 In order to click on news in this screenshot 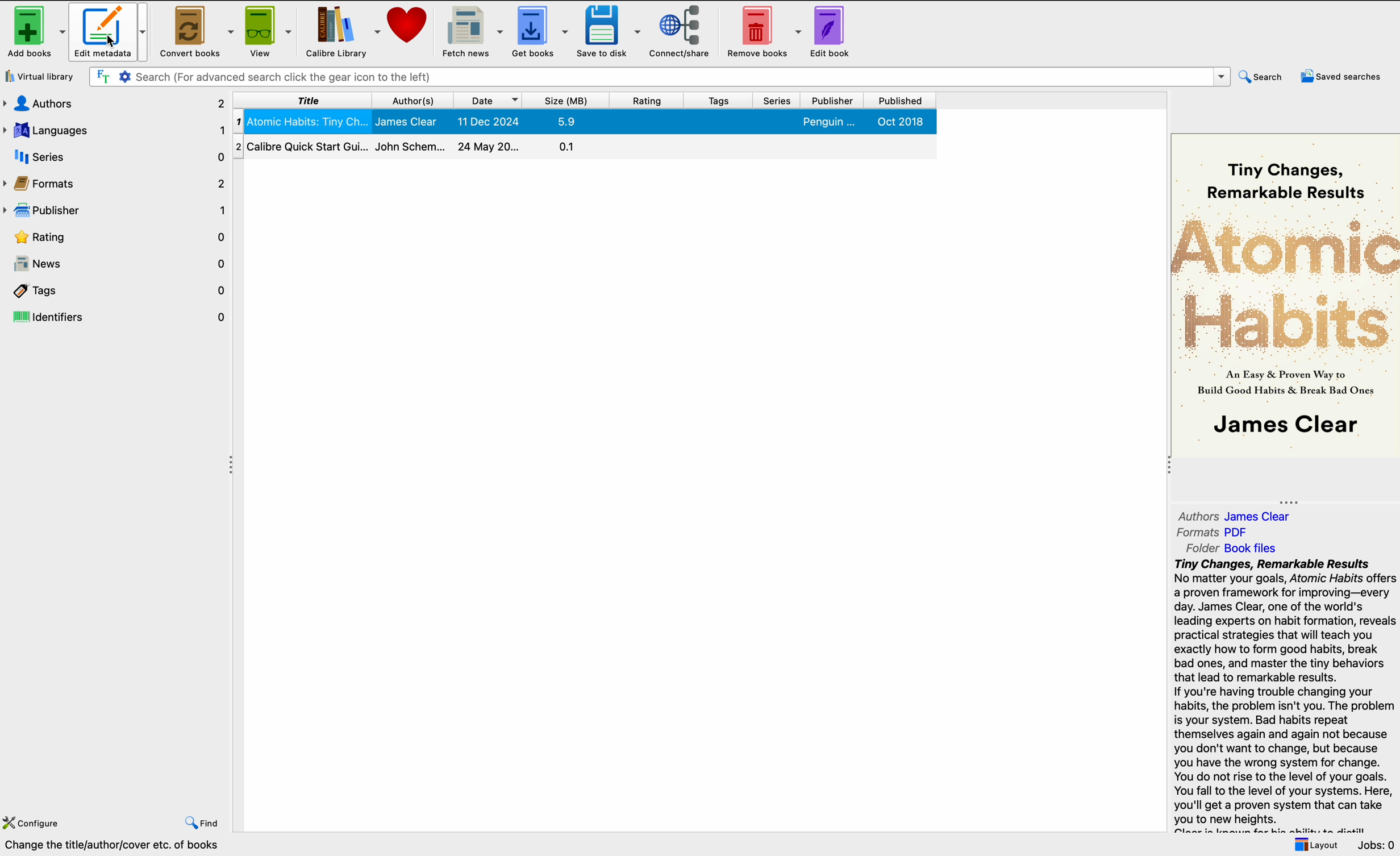, I will do `click(115, 264)`.